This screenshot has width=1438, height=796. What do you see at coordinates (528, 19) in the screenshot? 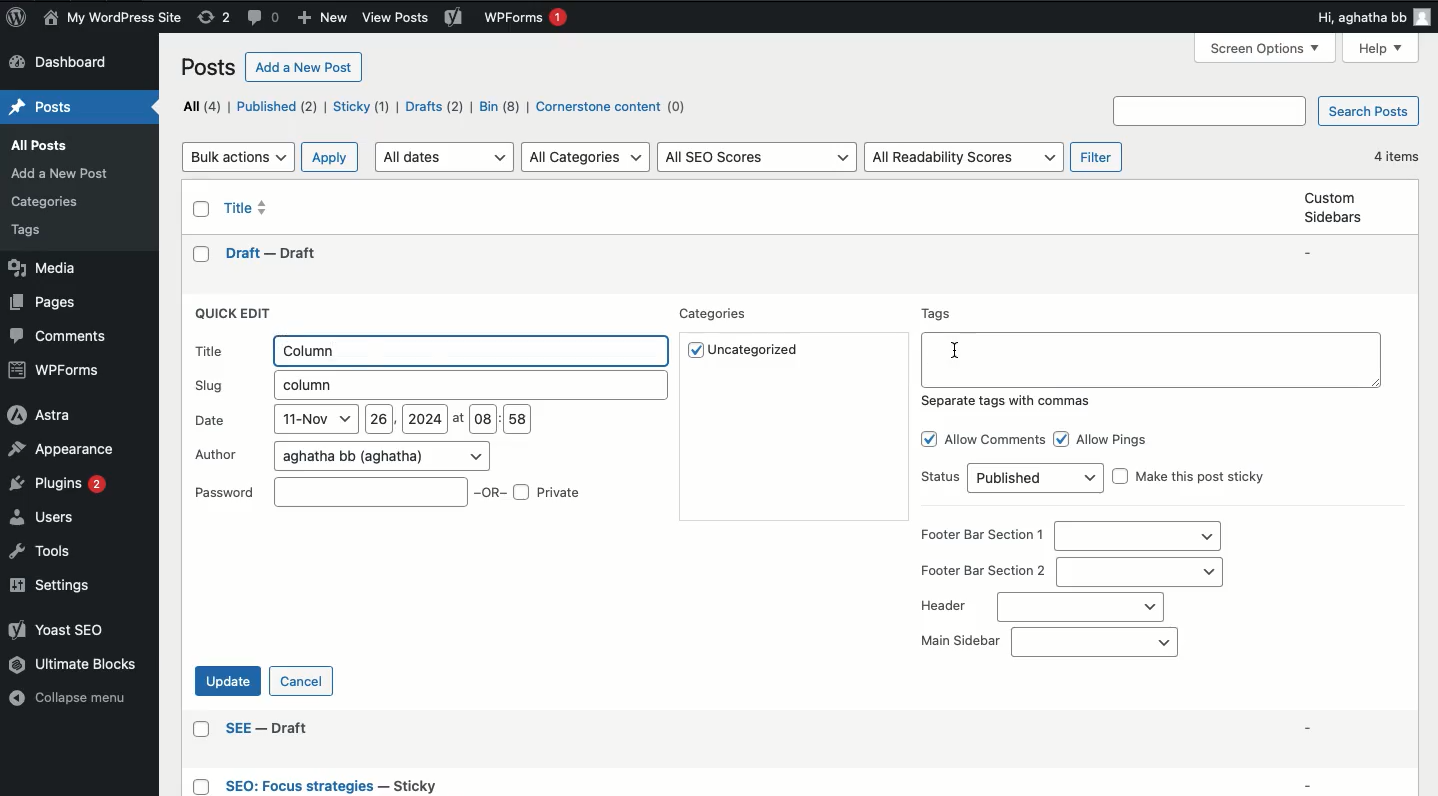
I see `WPForms` at bounding box center [528, 19].